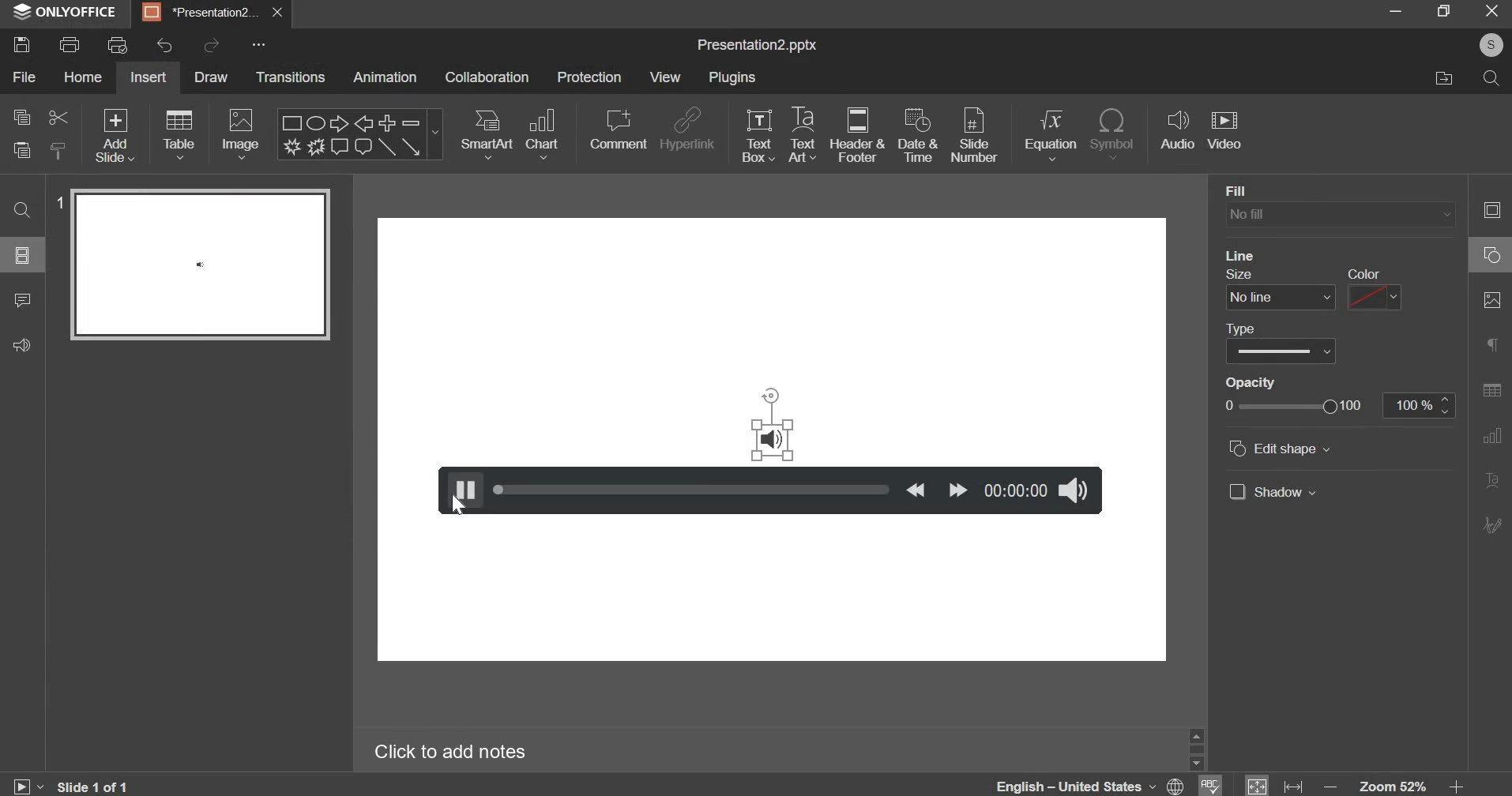 This screenshot has height=796, width=1512. I want to click on line type, so click(1281, 351).